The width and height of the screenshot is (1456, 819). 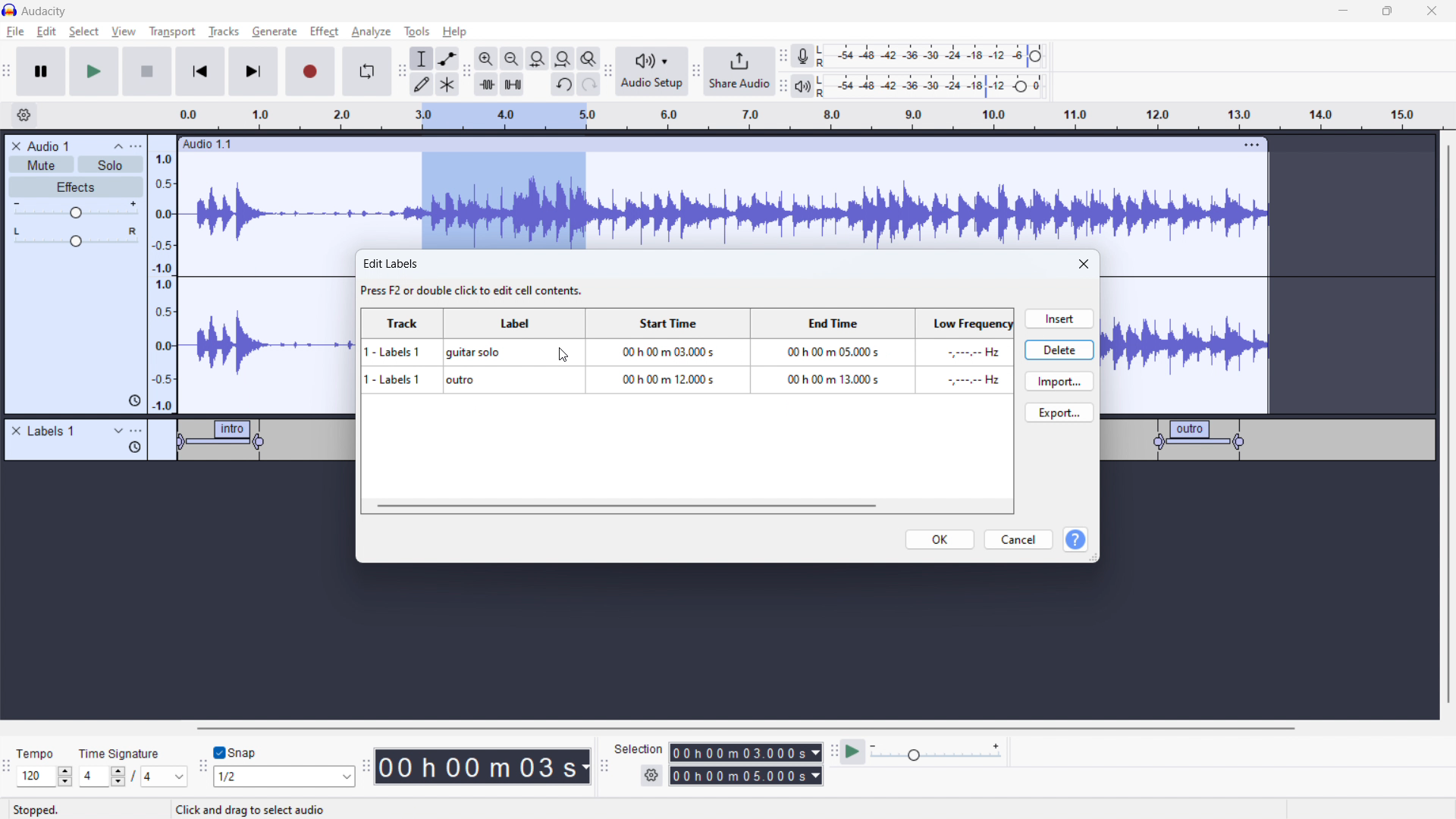 What do you see at coordinates (563, 356) in the screenshot?
I see `cursor` at bounding box center [563, 356].